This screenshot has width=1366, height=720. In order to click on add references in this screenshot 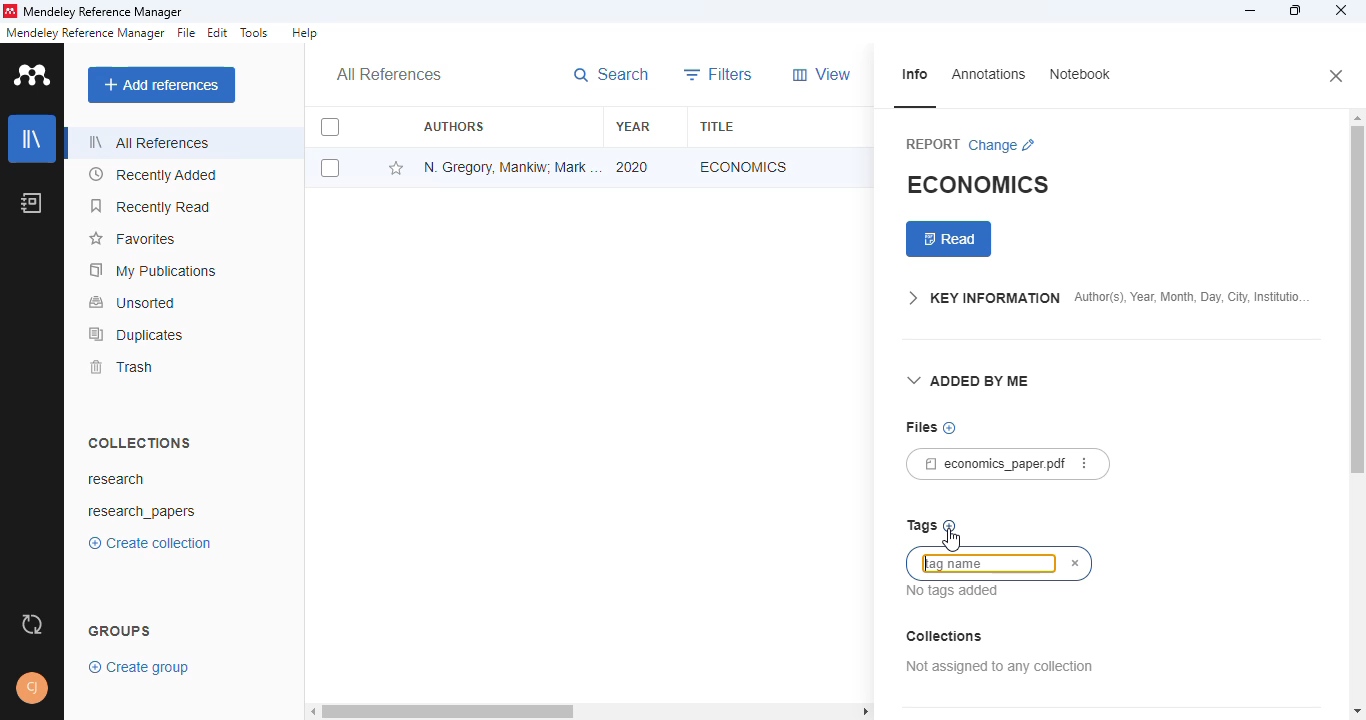, I will do `click(162, 84)`.